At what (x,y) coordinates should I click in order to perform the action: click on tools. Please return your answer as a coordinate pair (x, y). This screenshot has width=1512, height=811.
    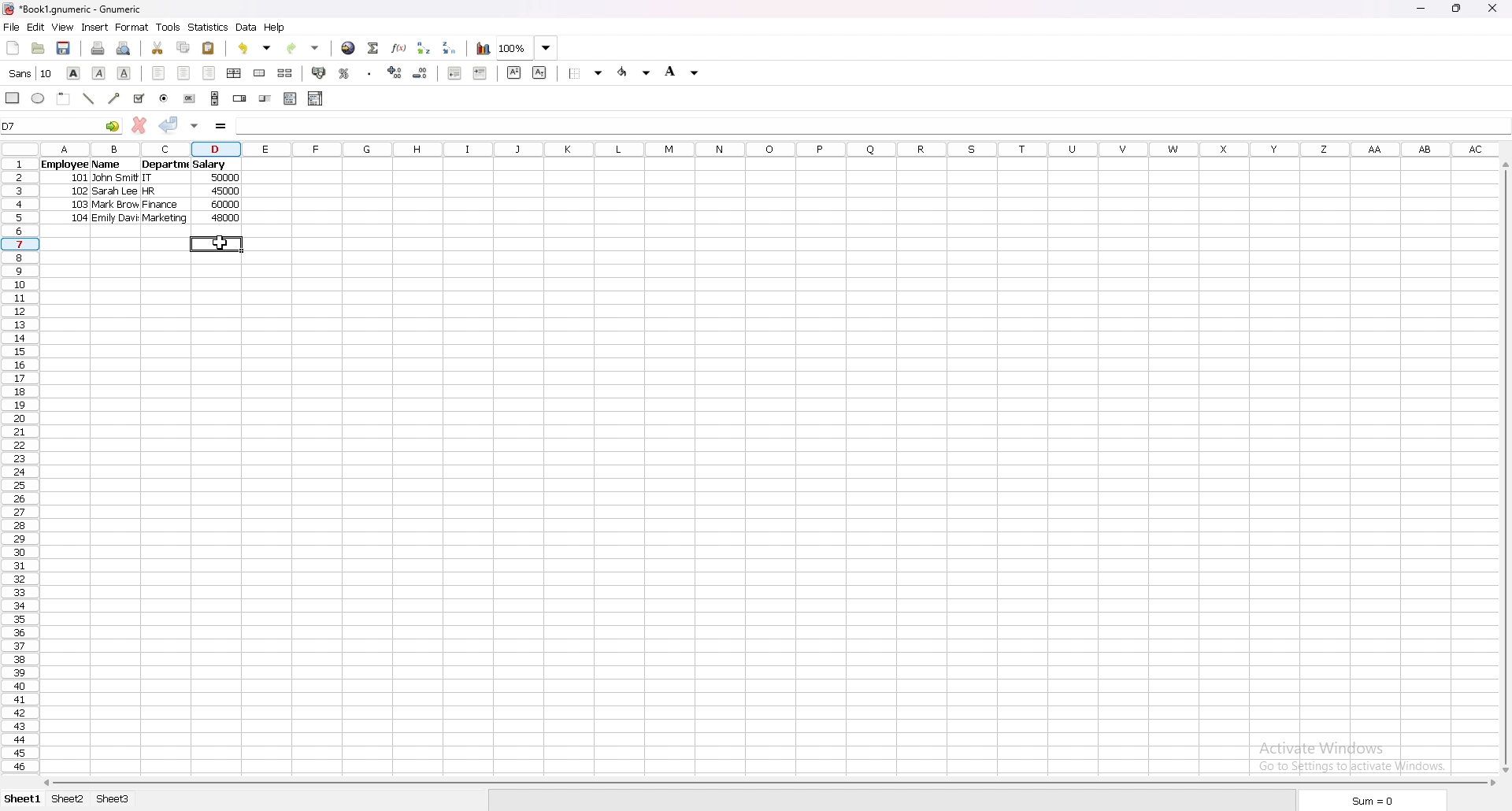
    Looking at the image, I should click on (168, 27).